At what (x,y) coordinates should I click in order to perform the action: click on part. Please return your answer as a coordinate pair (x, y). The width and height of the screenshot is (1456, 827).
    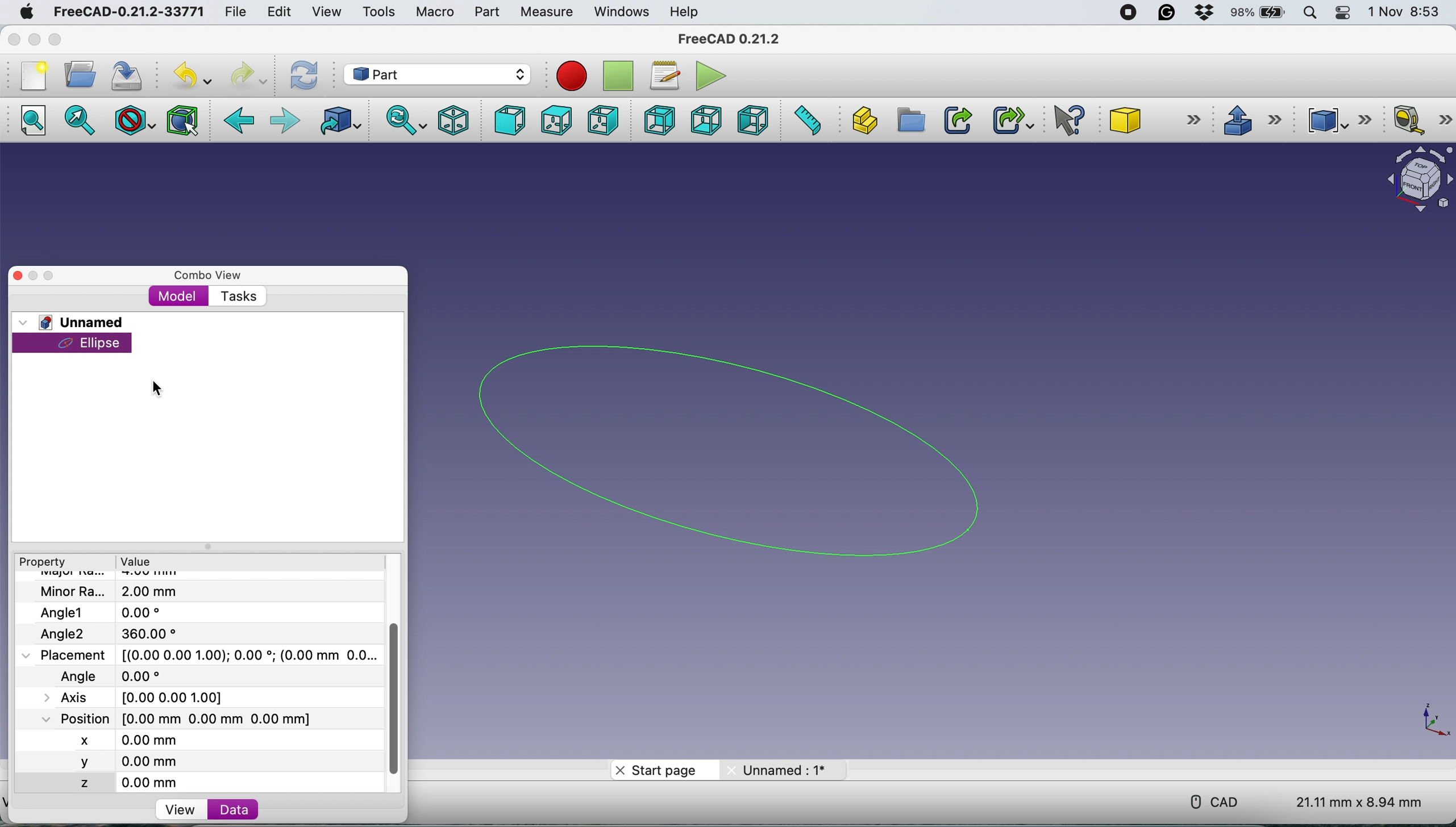
    Looking at the image, I should click on (485, 12).